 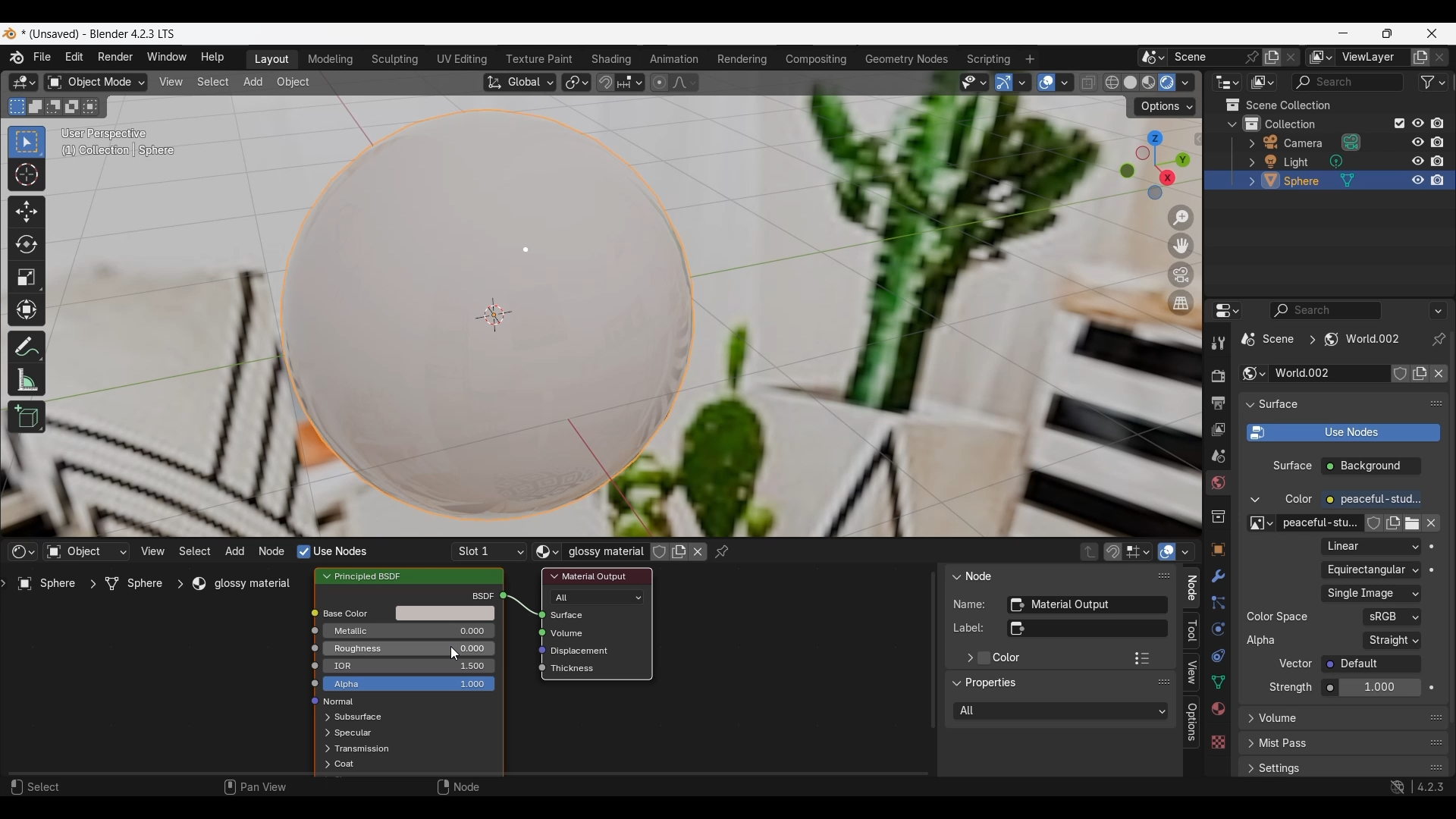 I want to click on light, so click(x=1299, y=162).